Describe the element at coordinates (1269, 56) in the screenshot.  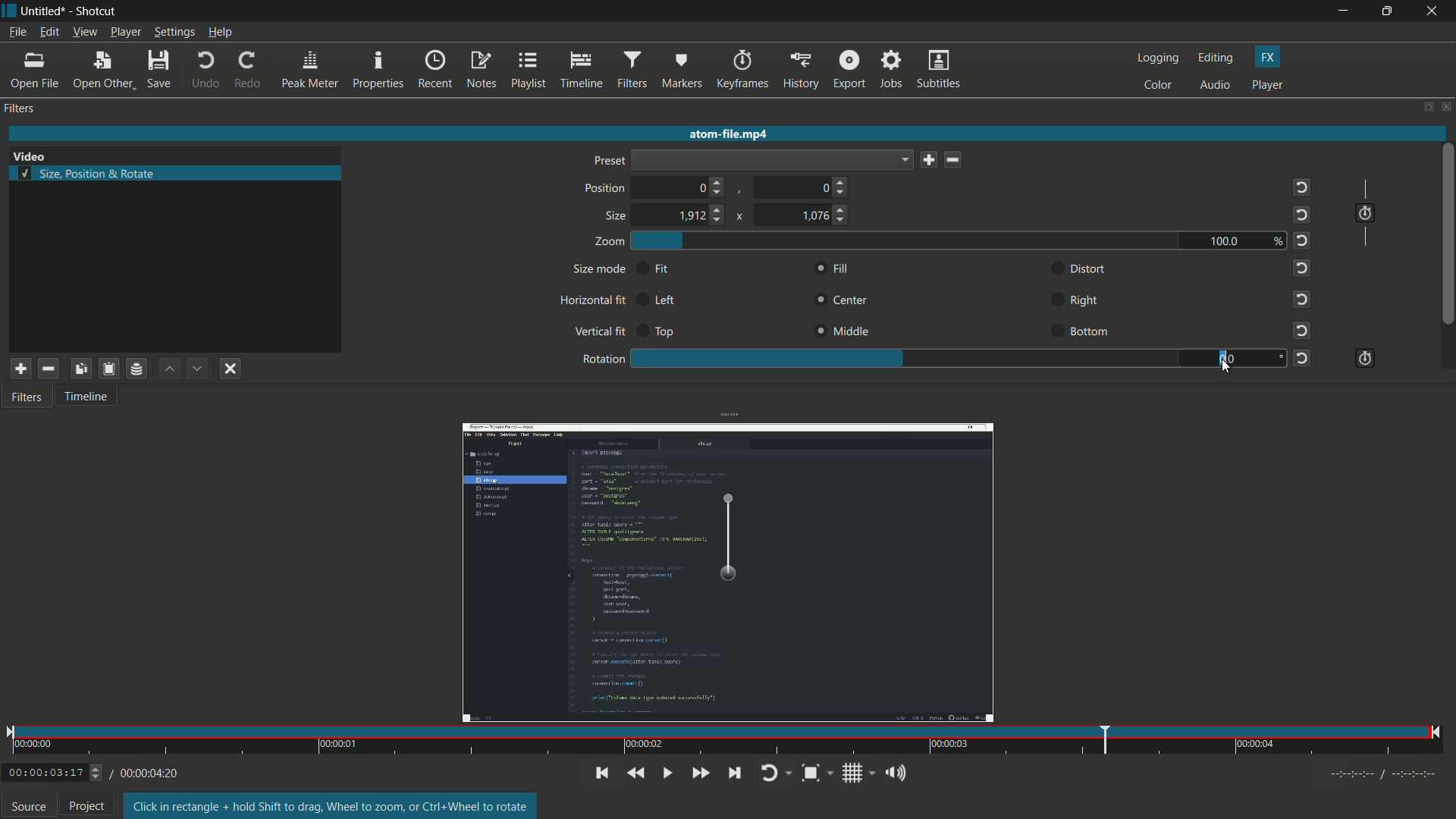
I see `fx` at that location.